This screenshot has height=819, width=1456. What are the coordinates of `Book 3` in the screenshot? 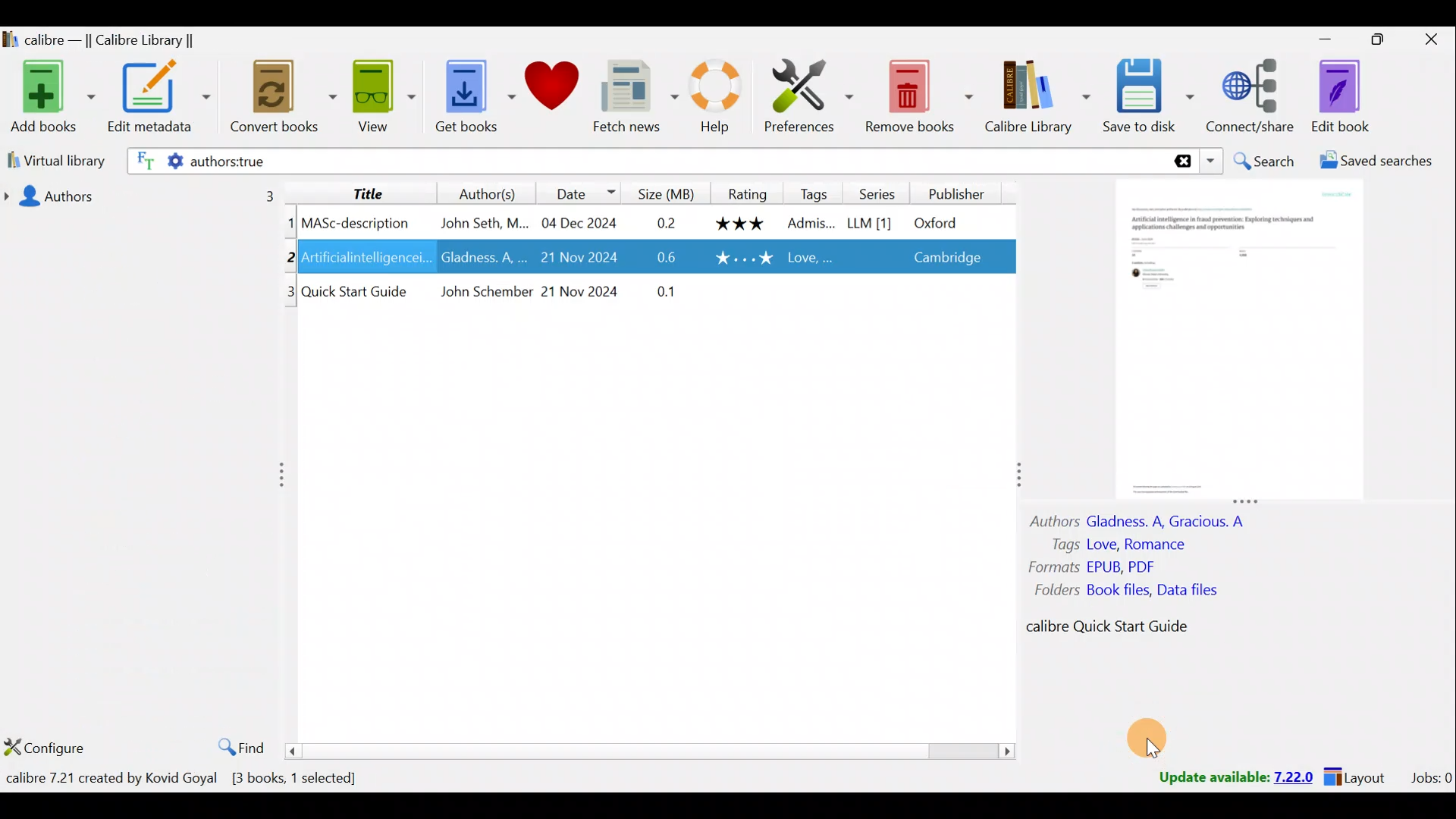 It's located at (653, 293).